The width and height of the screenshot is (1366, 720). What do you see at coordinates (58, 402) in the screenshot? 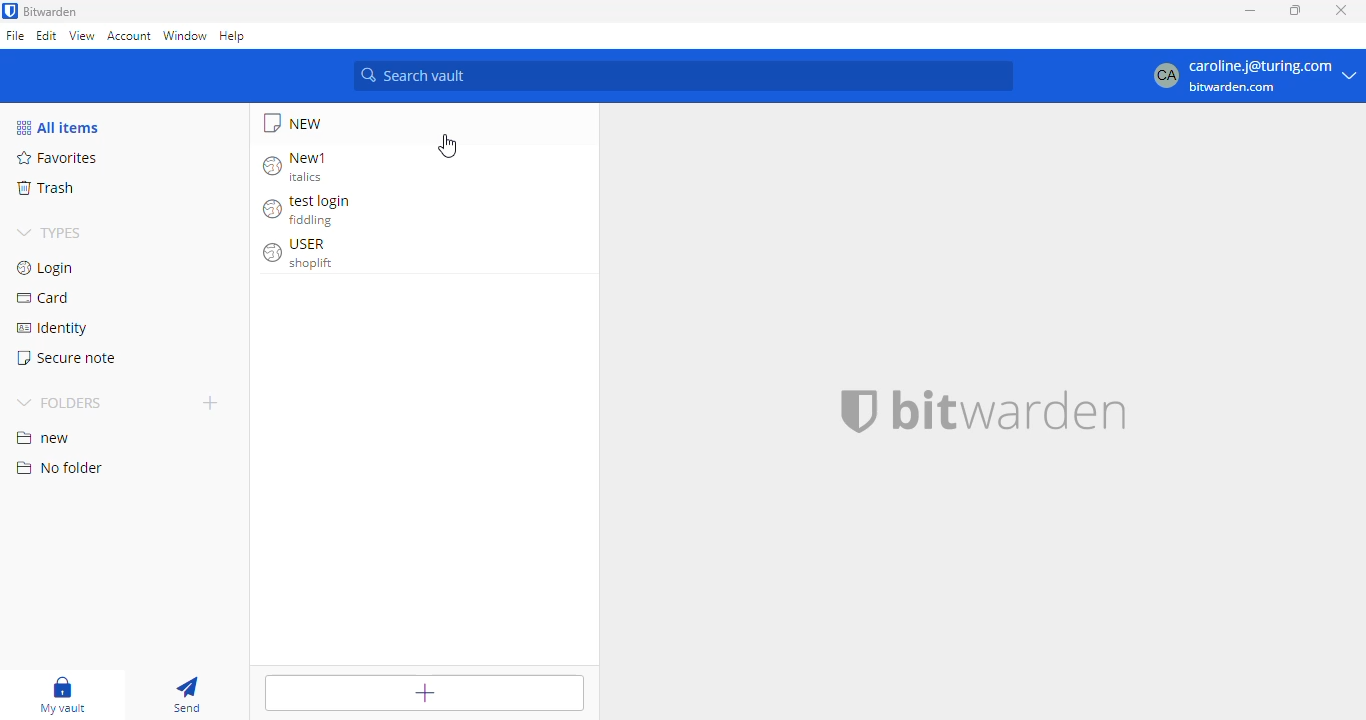
I see `folders` at bounding box center [58, 402].